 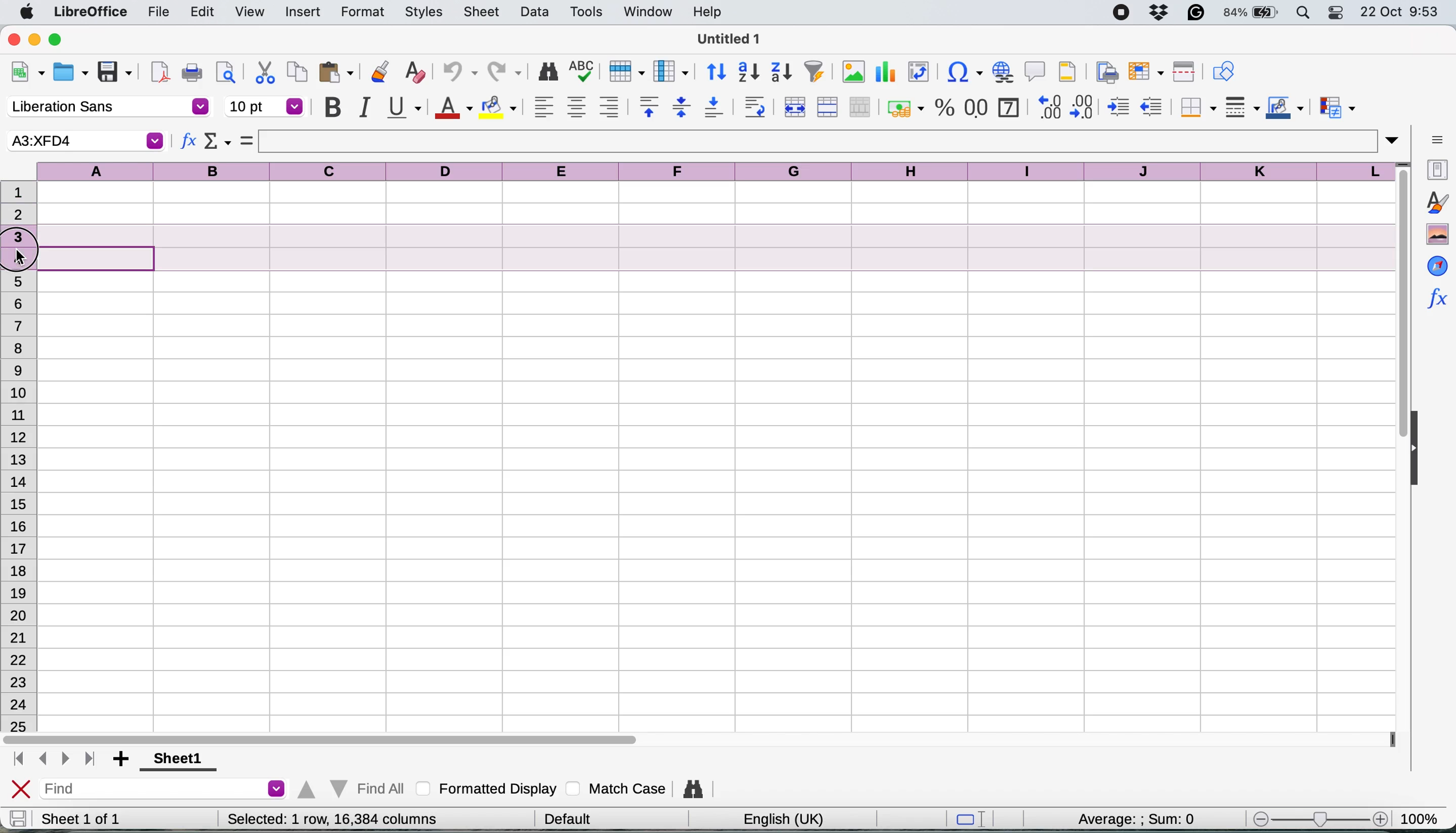 What do you see at coordinates (332, 108) in the screenshot?
I see `bold` at bounding box center [332, 108].